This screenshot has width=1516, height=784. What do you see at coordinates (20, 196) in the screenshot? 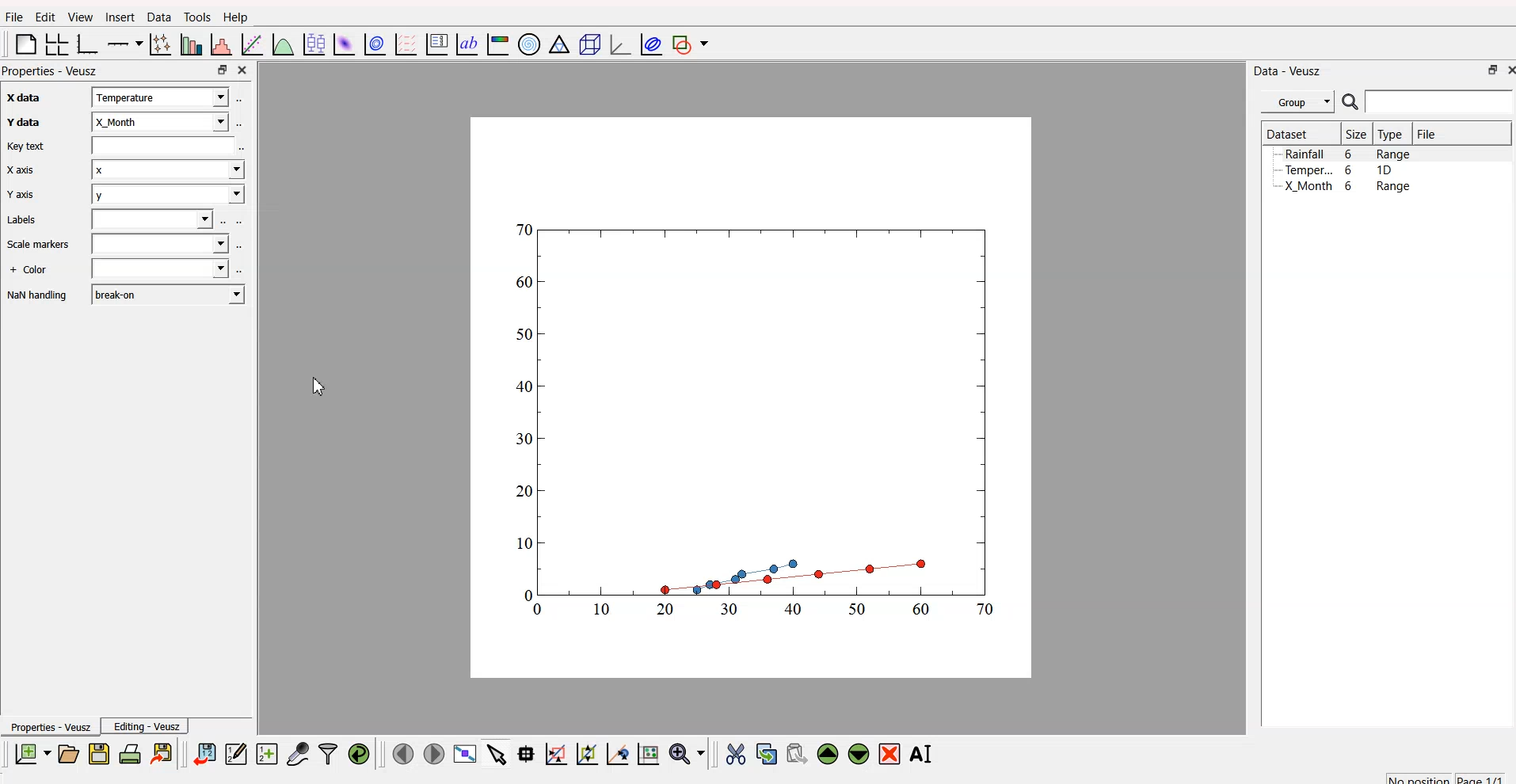
I see `Y axis` at bounding box center [20, 196].